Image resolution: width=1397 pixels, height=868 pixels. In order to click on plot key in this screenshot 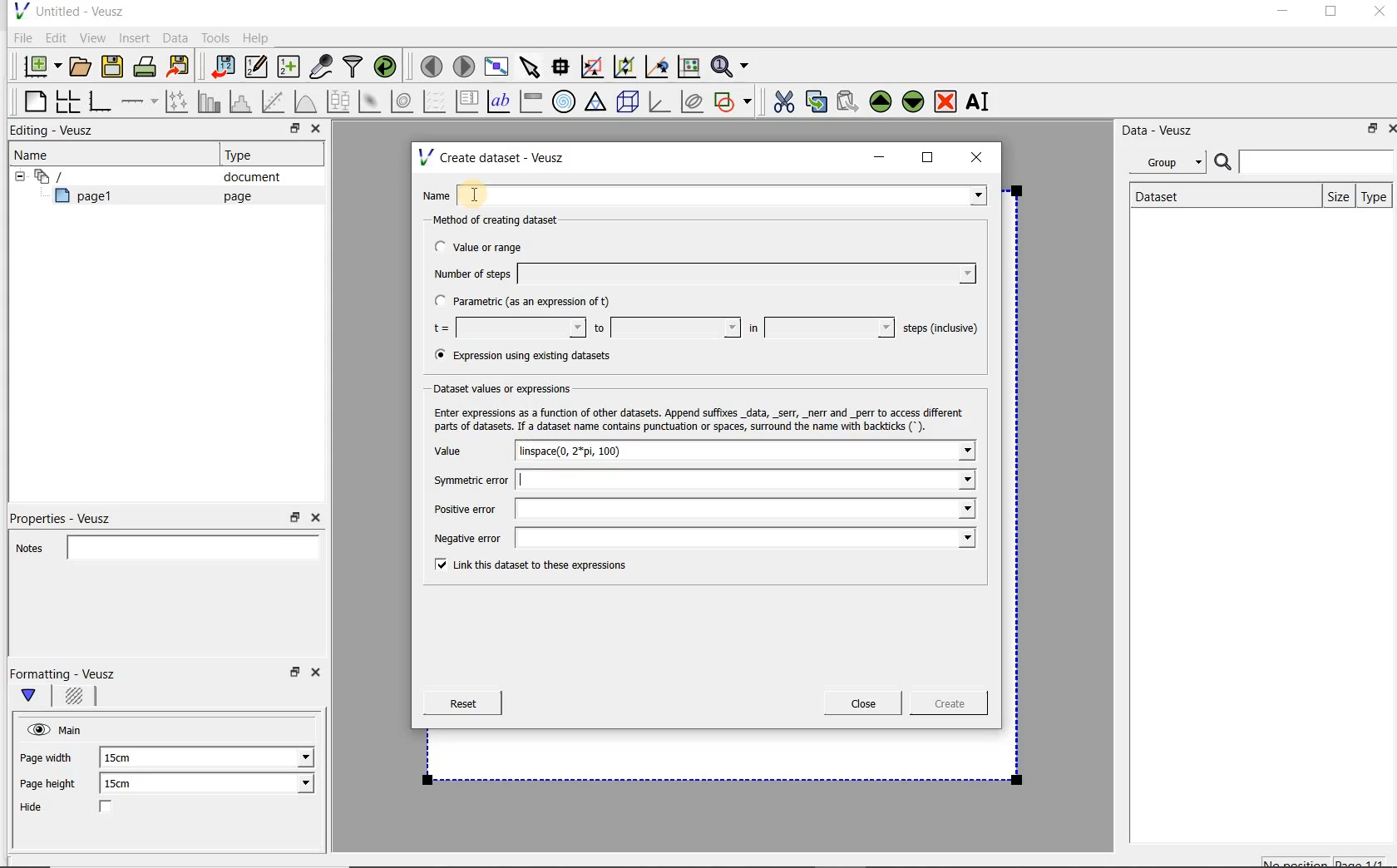, I will do `click(468, 101)`.